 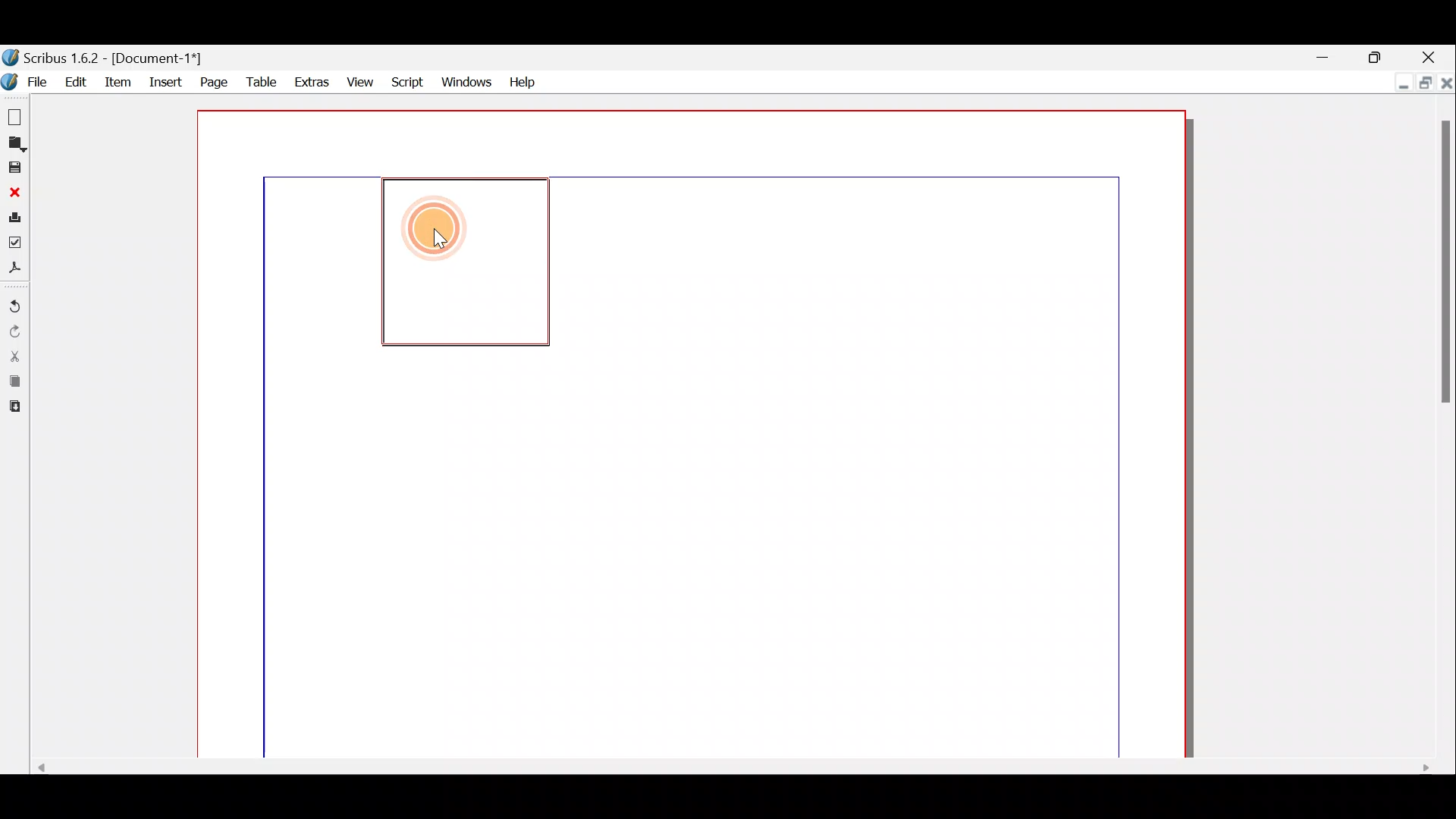 What do you see at coordinates (1432, 55) in the screenshot?
I see `Close` at bounding box center [1432, 55].